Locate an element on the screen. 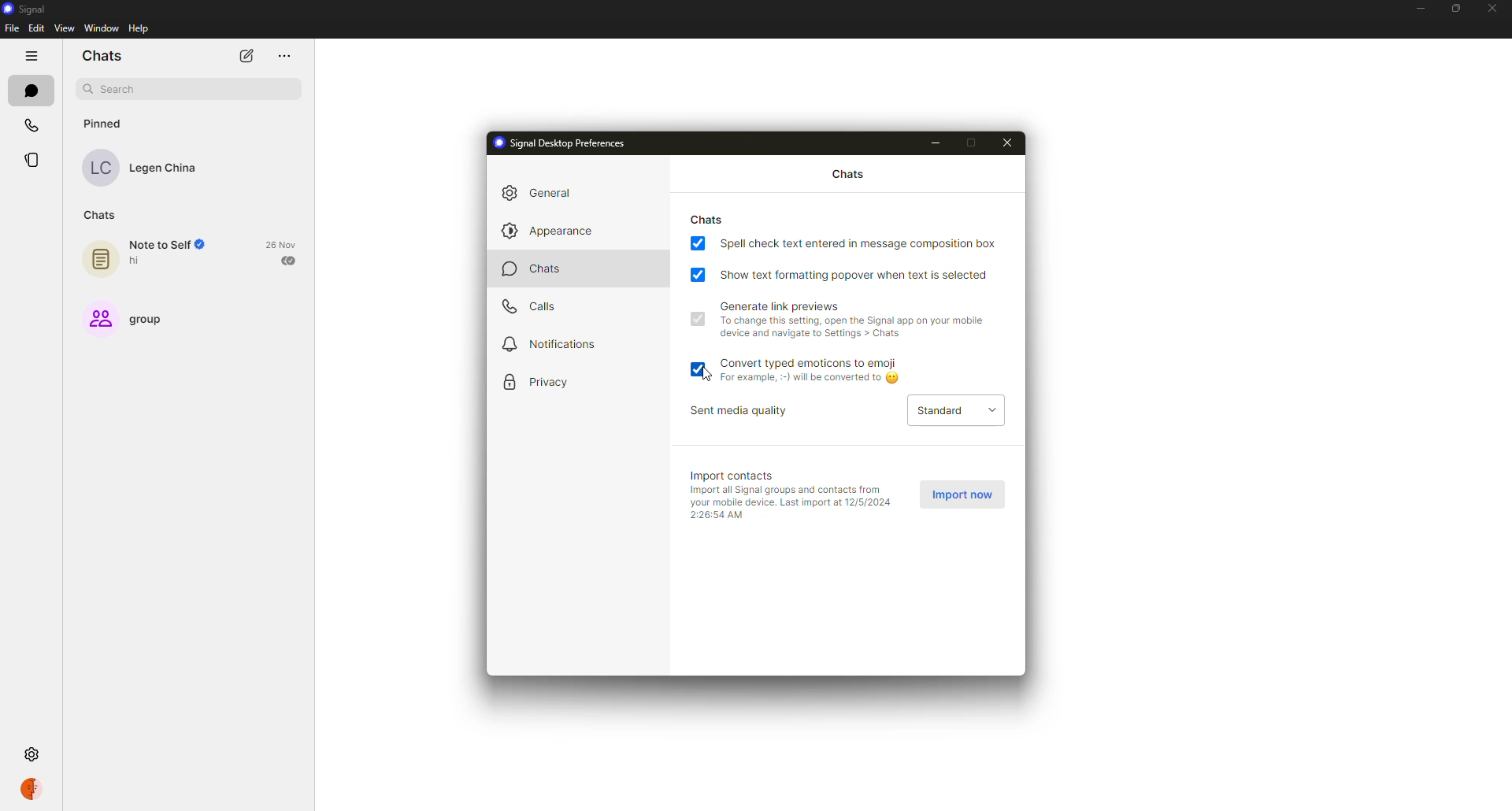  enabled is located at coordinates (700, 368).